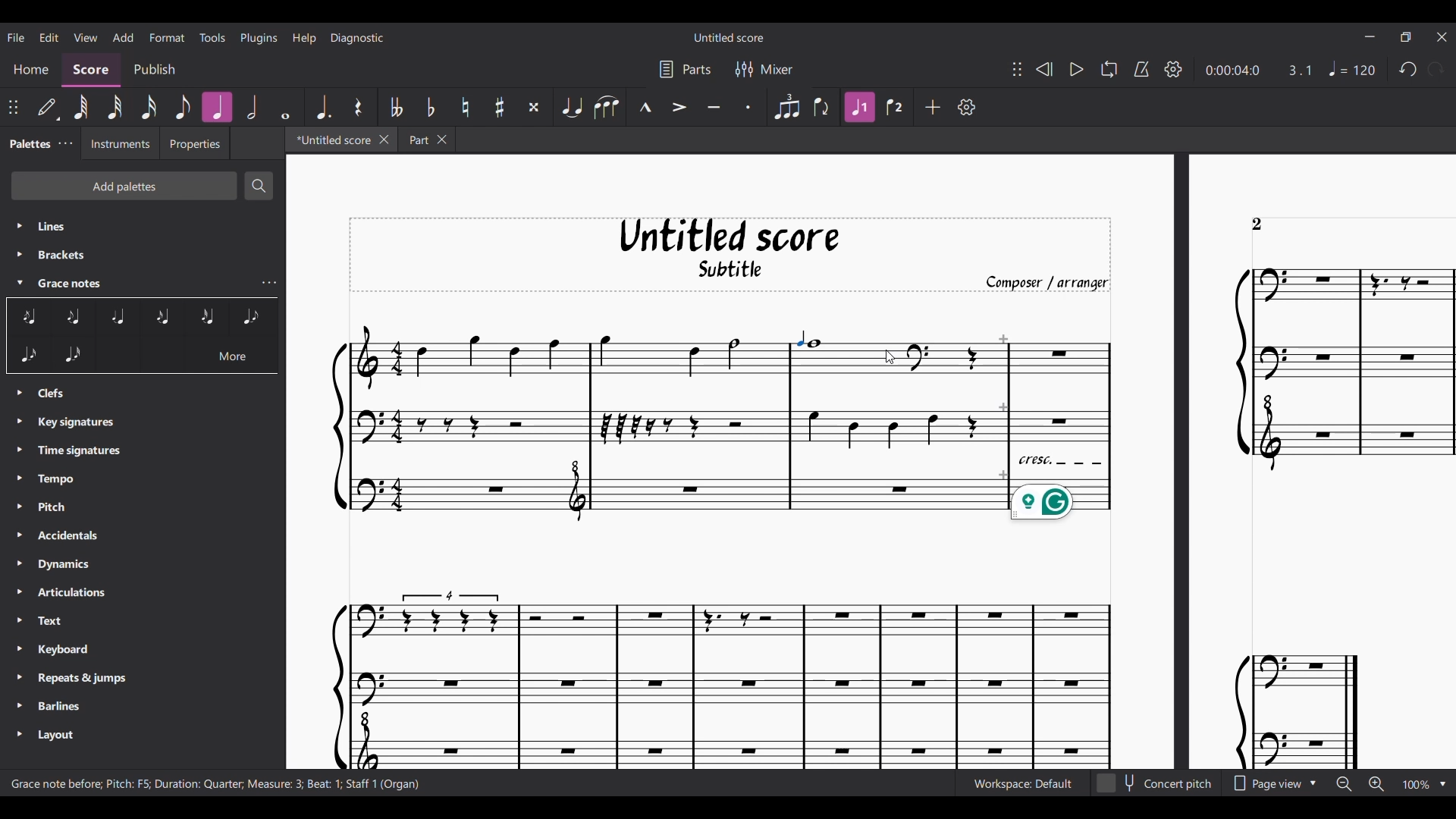  What do you see at coordinates (1016, 69) in the screenshot?
I see `Change position of toolbar attached` at bounding box center [1016, 69].